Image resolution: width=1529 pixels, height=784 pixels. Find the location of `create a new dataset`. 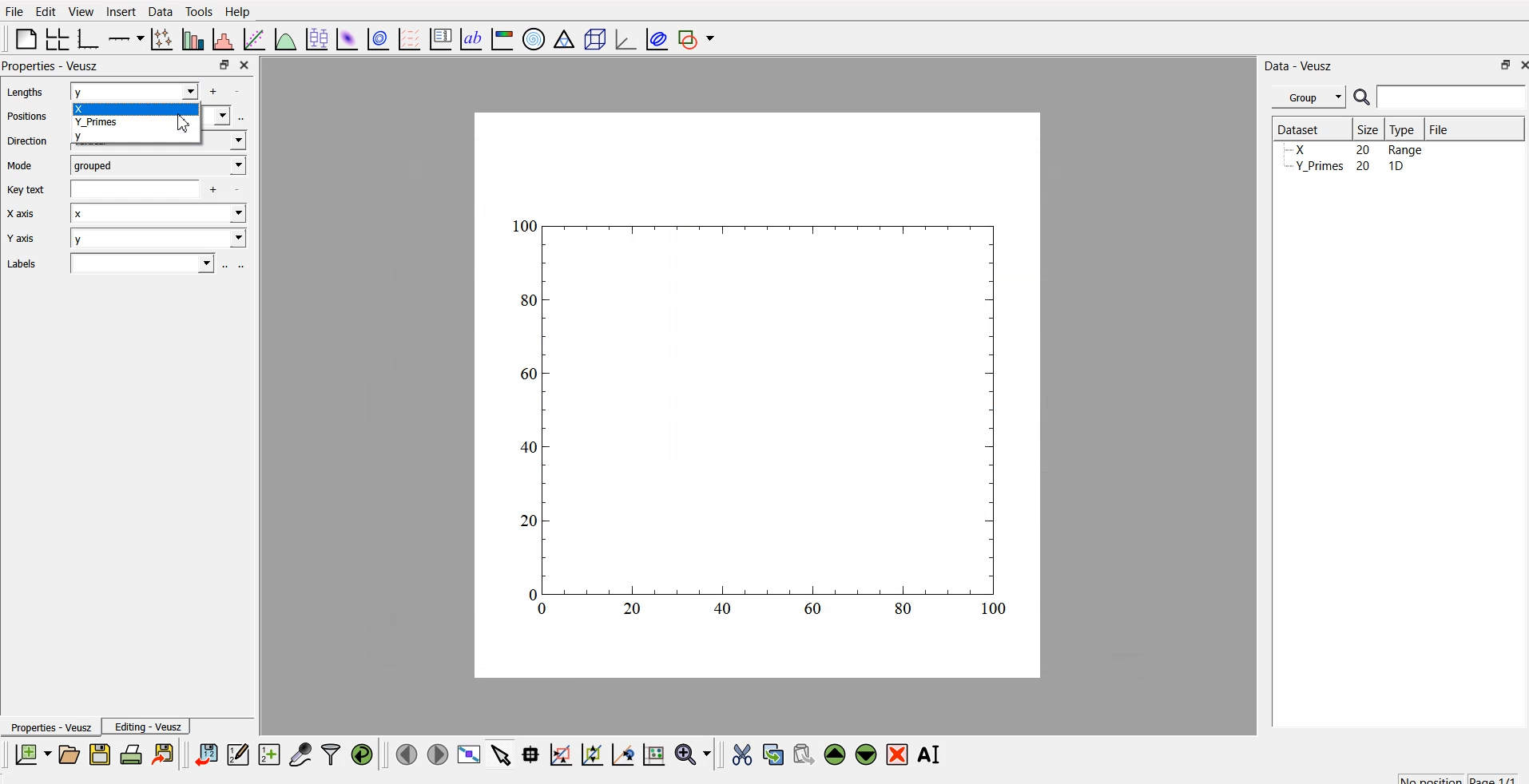

create a new dataset is located at coordinates (269, 756).